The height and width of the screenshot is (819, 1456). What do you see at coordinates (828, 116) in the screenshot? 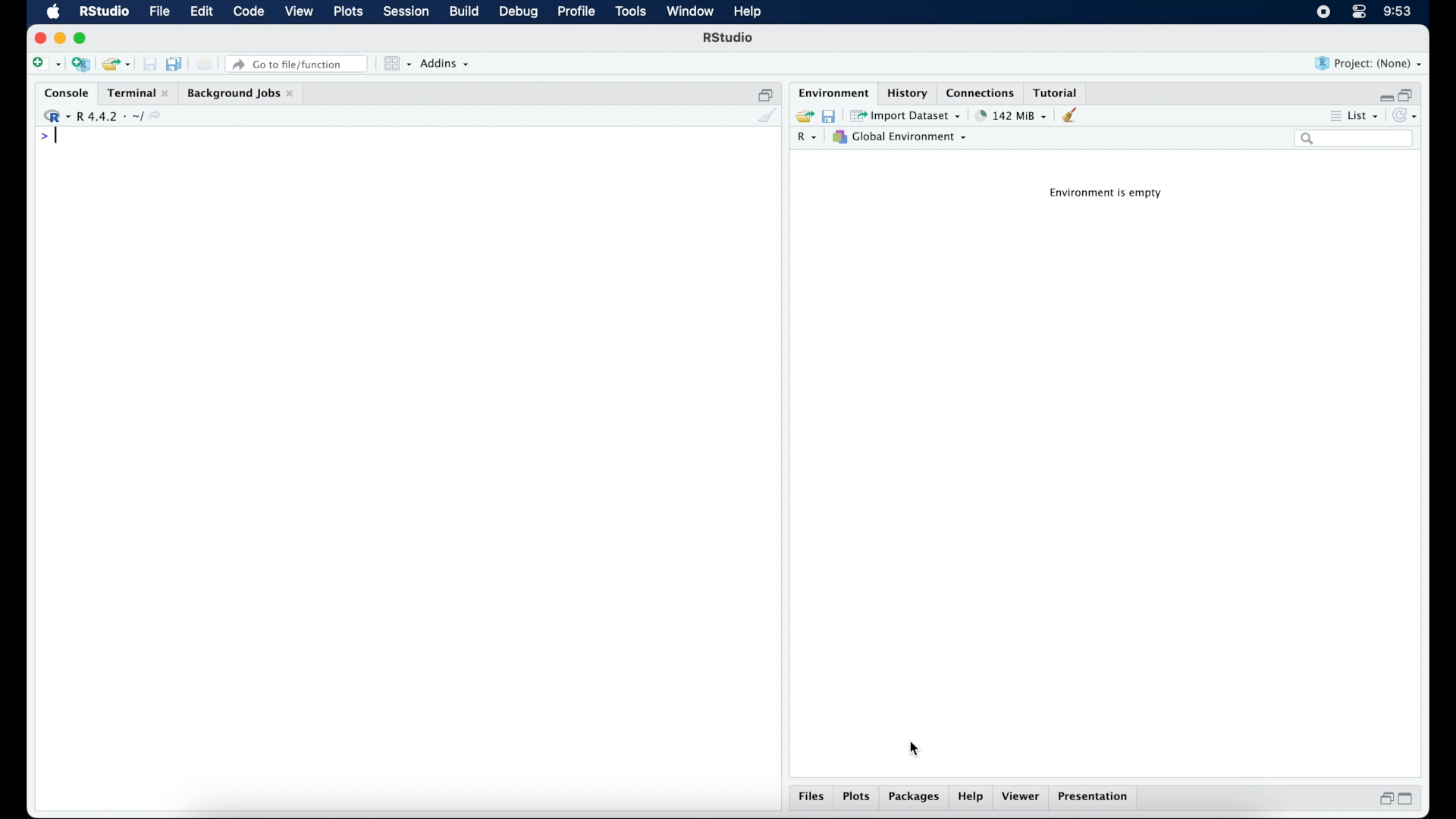
I see `save` at bounding box center [828, 116].